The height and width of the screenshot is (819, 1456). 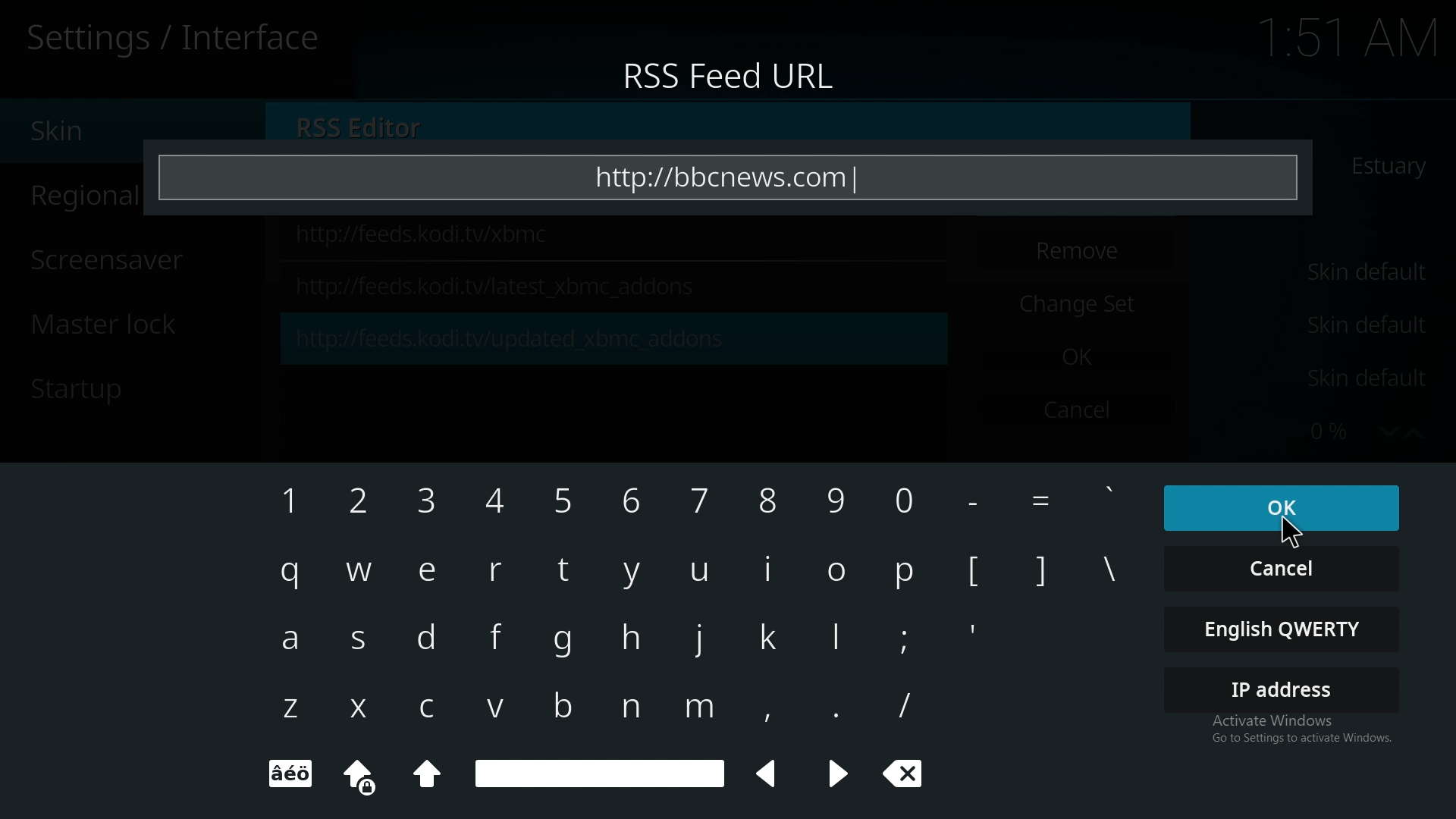 I want to click on /, so click(x=899, y=704).